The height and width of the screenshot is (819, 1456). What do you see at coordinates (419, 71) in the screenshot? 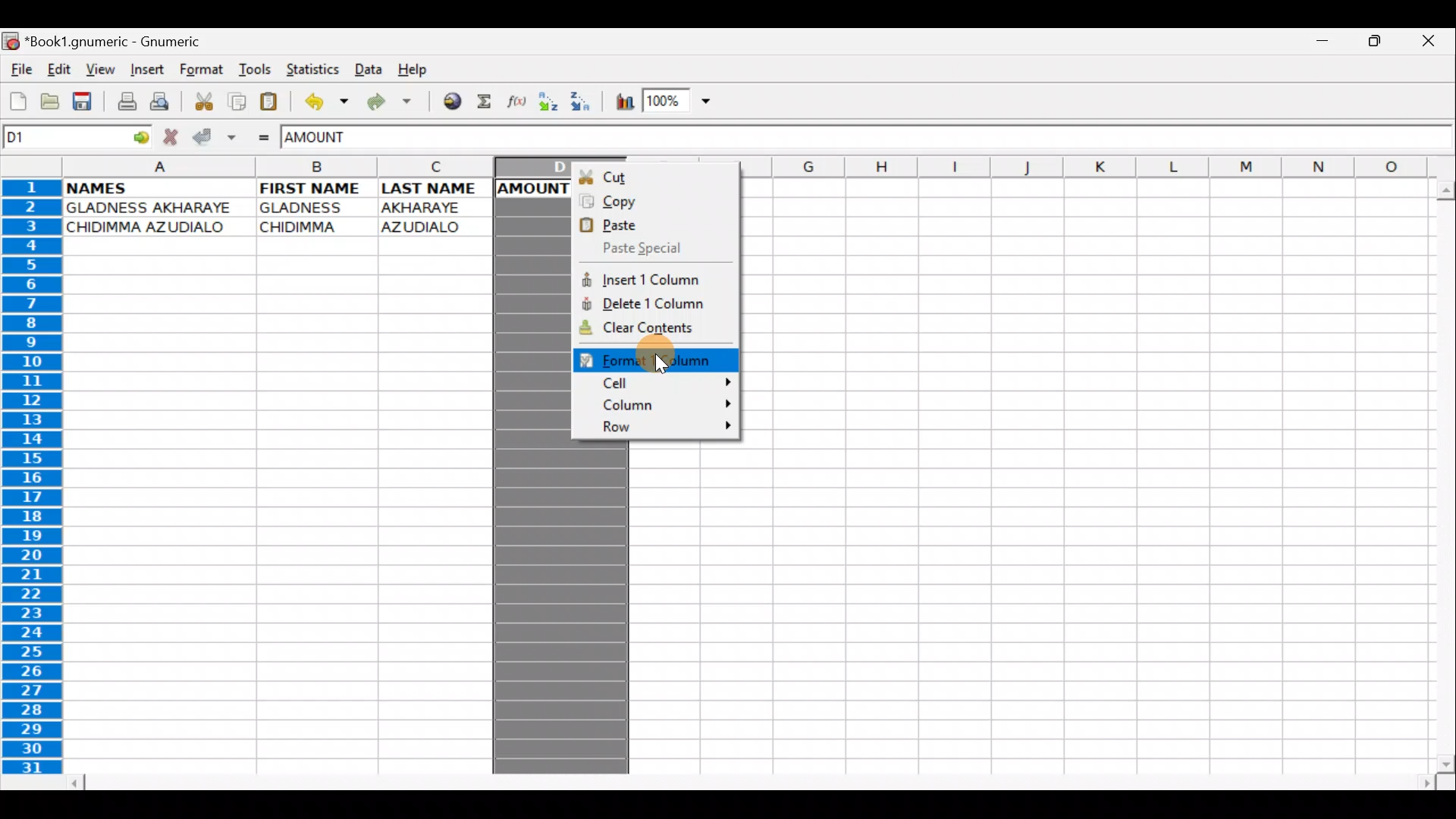
I see `Help` at bounding box center [419, 71].